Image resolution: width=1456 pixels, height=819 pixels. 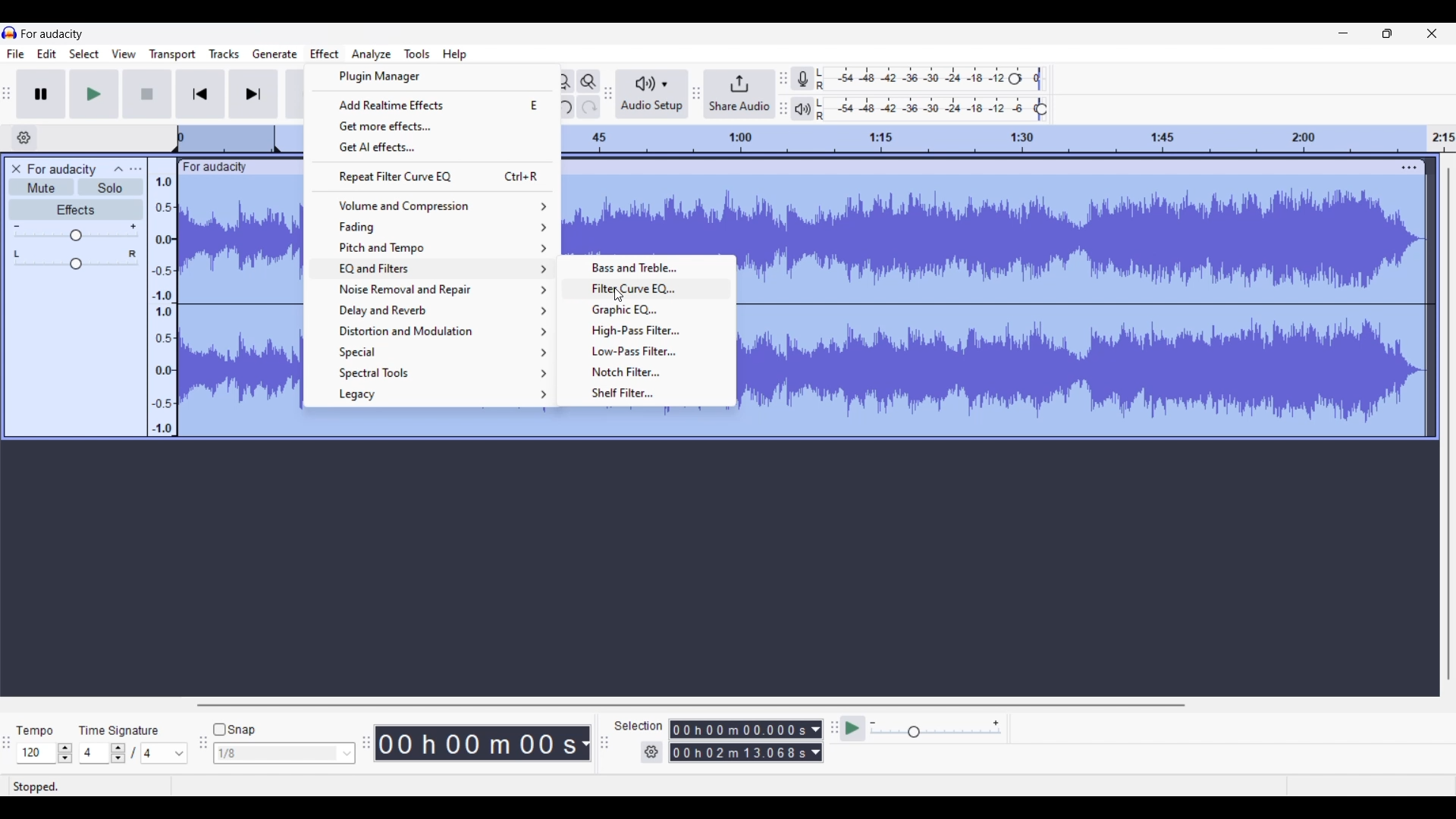 What do you see at coordinates (434, 331) in the screenshot?
I see `Distortion and Modulation options` at bounding box center [434, 331].